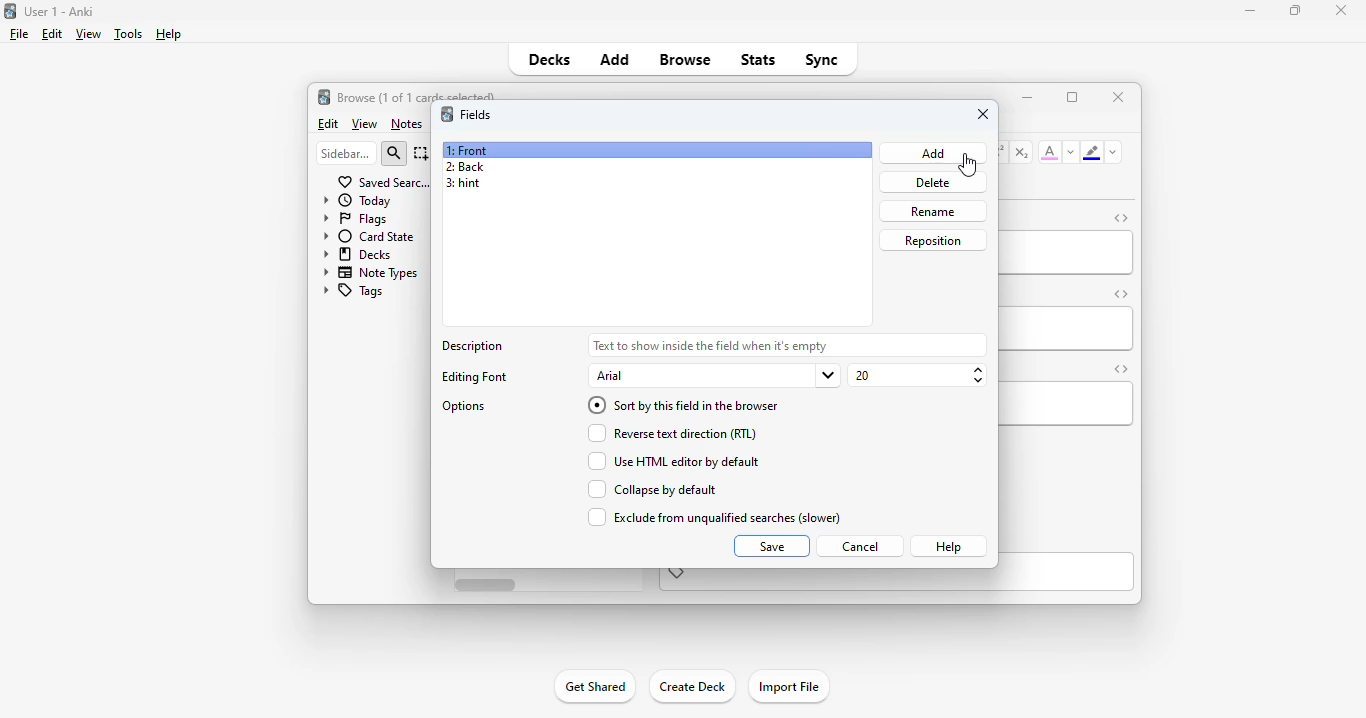 The width and height of the screenshot is (1366, 718). I want to click on close, so click(1341, 10).